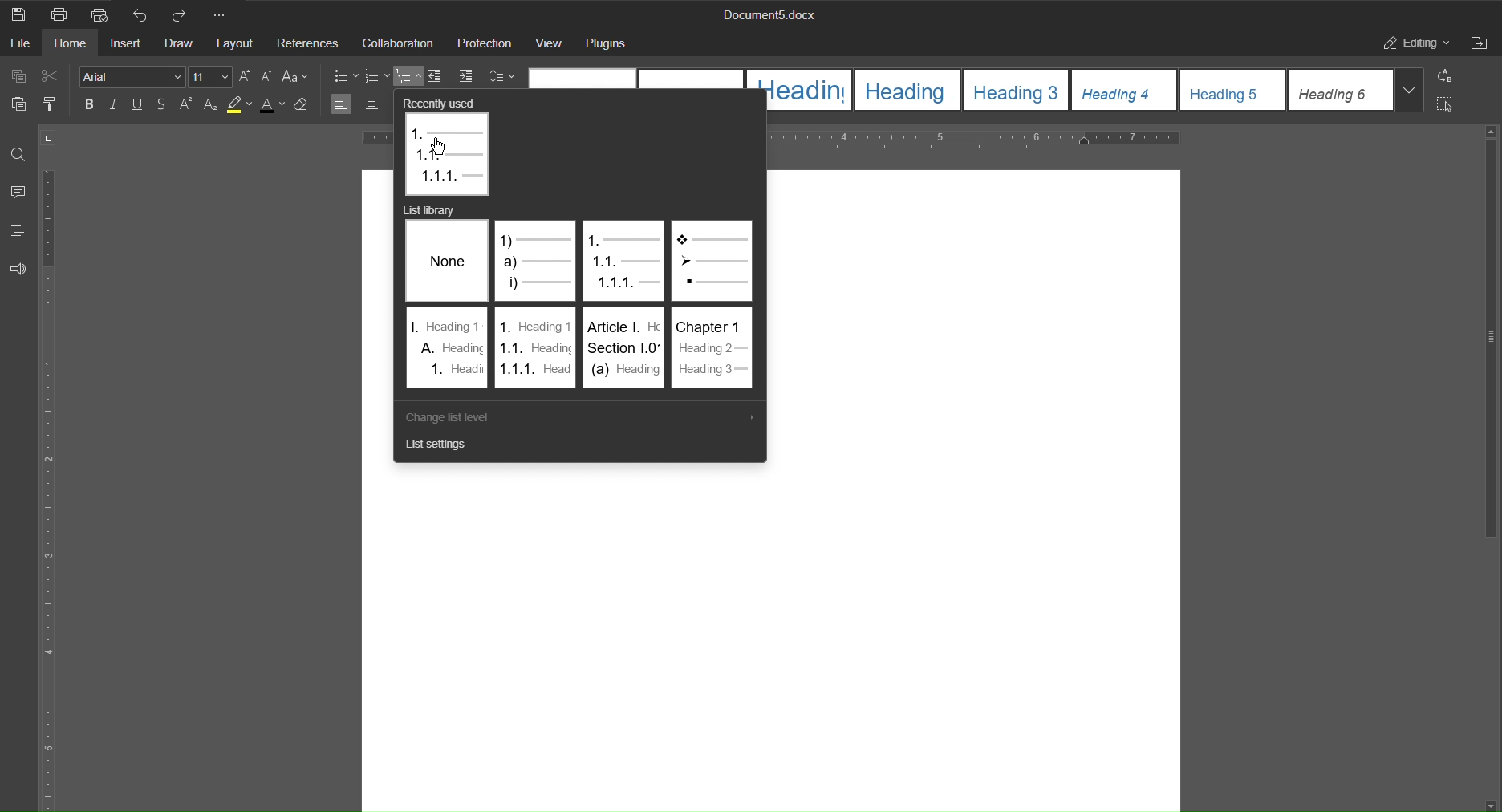 The image size is (1502, 812). I want to click on Paste, so click(17, 106).